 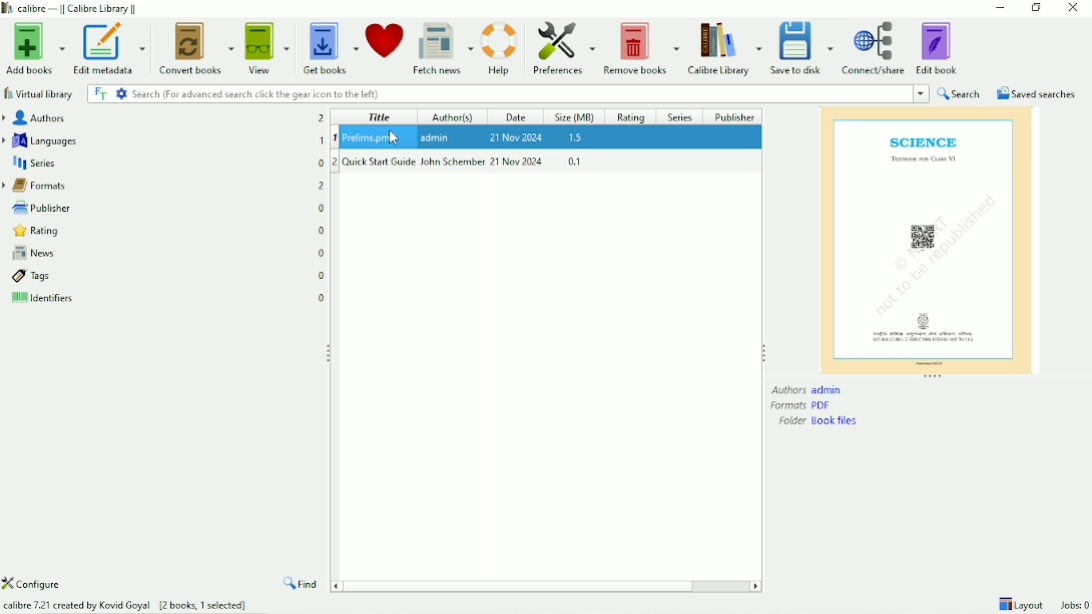 I want to click on Configure, so click(x=39, y=584).